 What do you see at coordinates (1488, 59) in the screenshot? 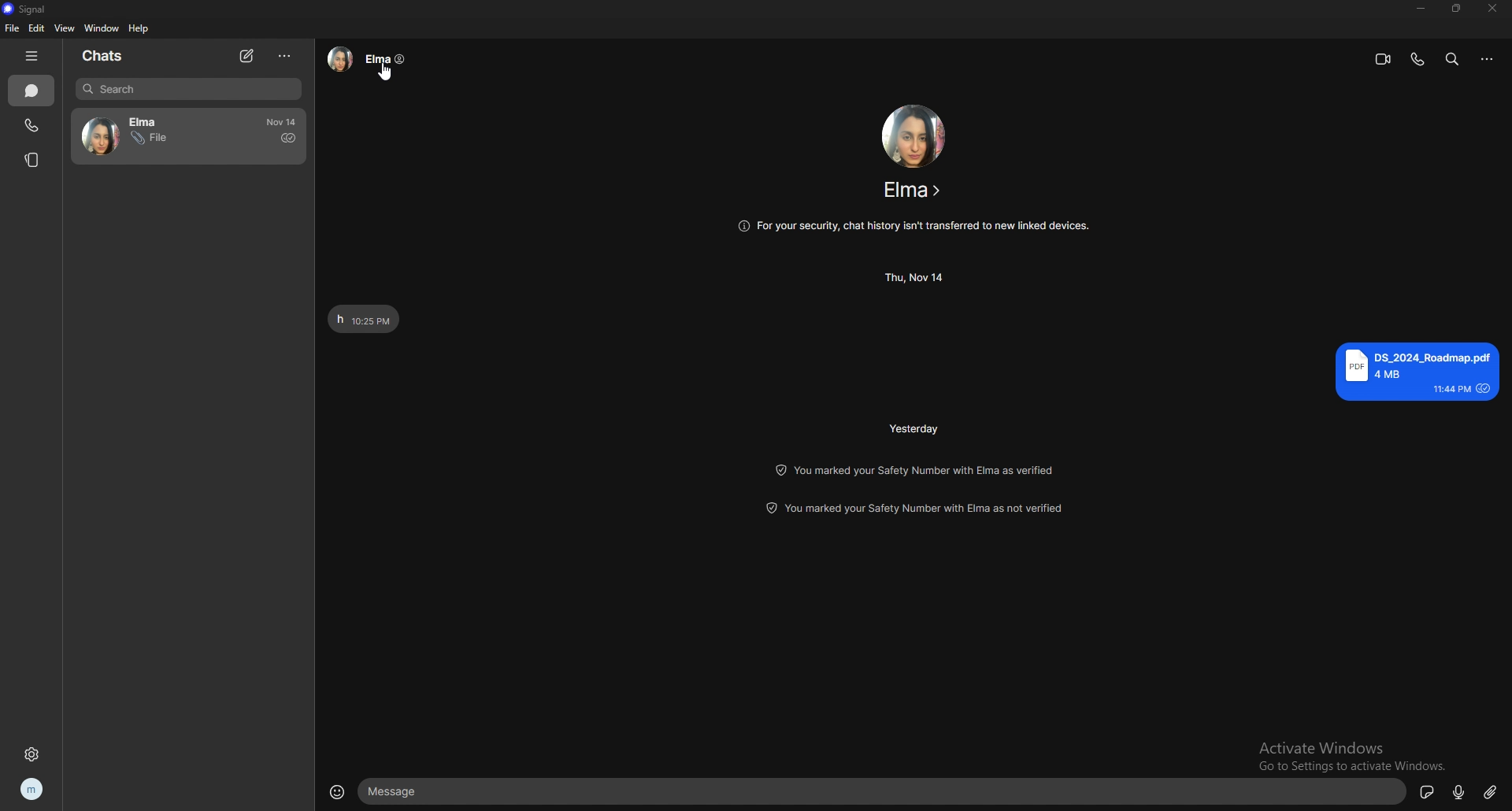
I see `info` at bounding box center [1488, 59].